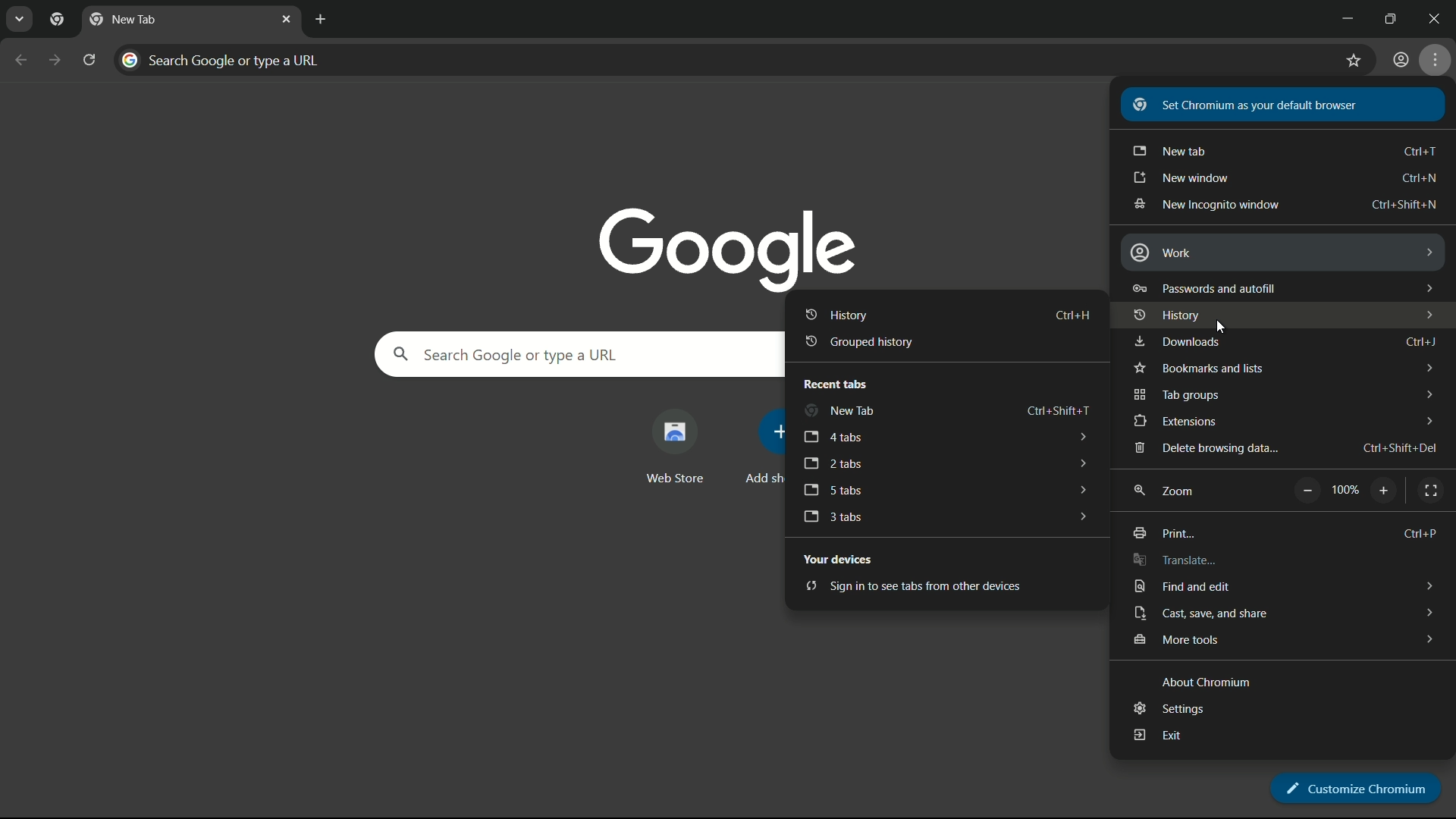  Describe the element at coordinates (833, 384) in the screenshot. I see `recent tabs` at that location.